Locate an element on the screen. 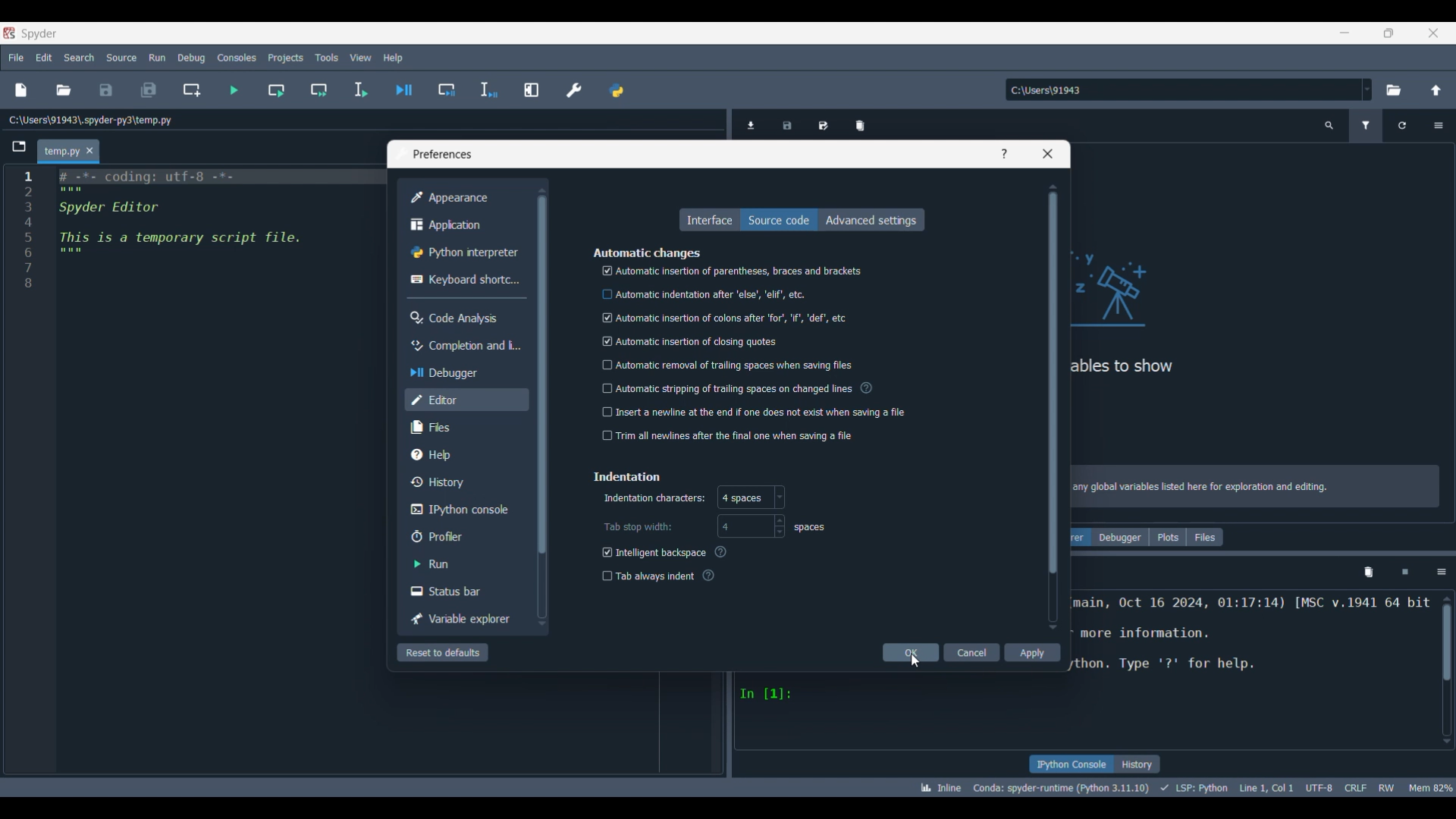  Help is located at coordinates (466, 455).